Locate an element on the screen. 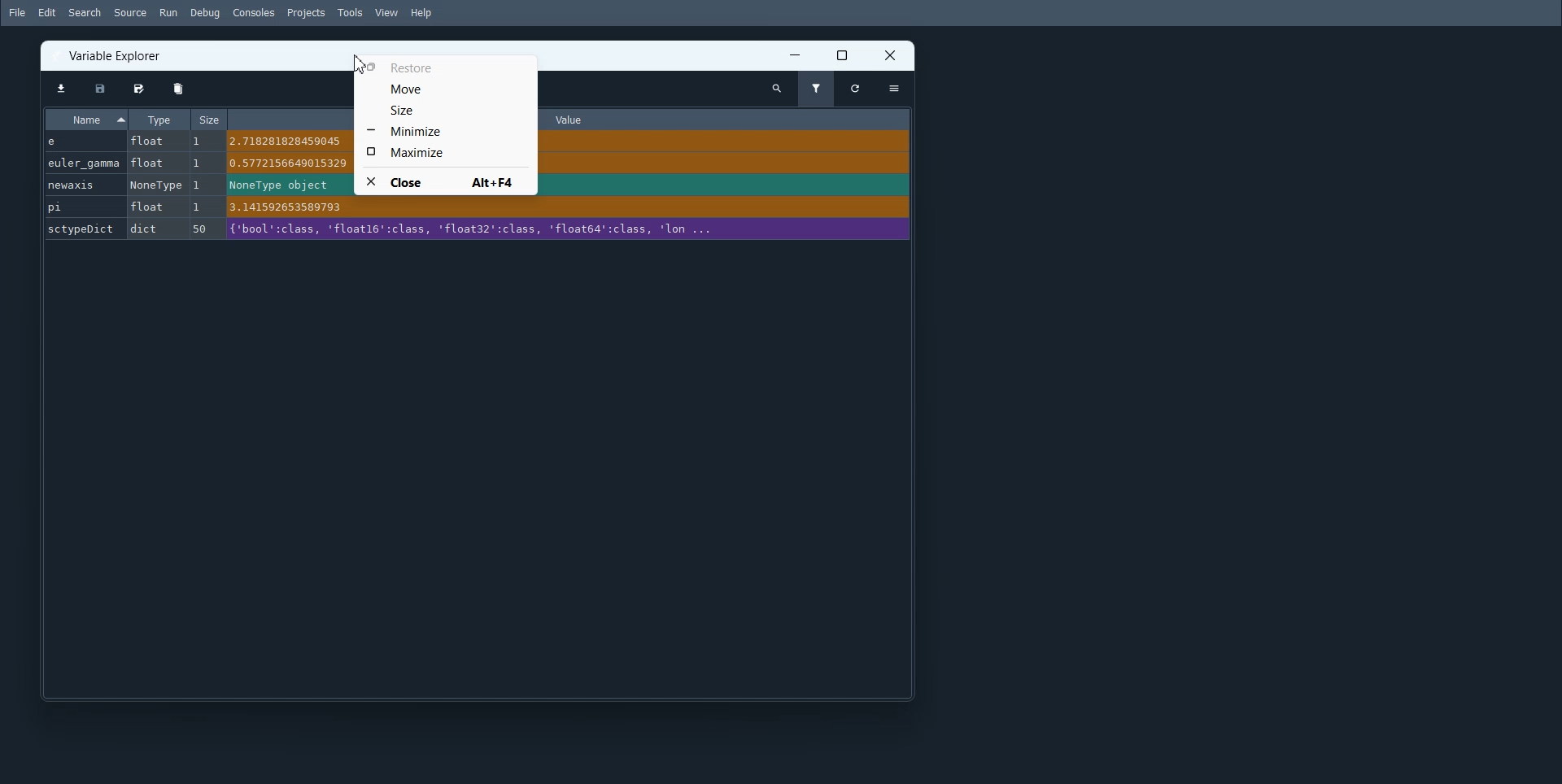  Source is located at coordinates (132, 13).